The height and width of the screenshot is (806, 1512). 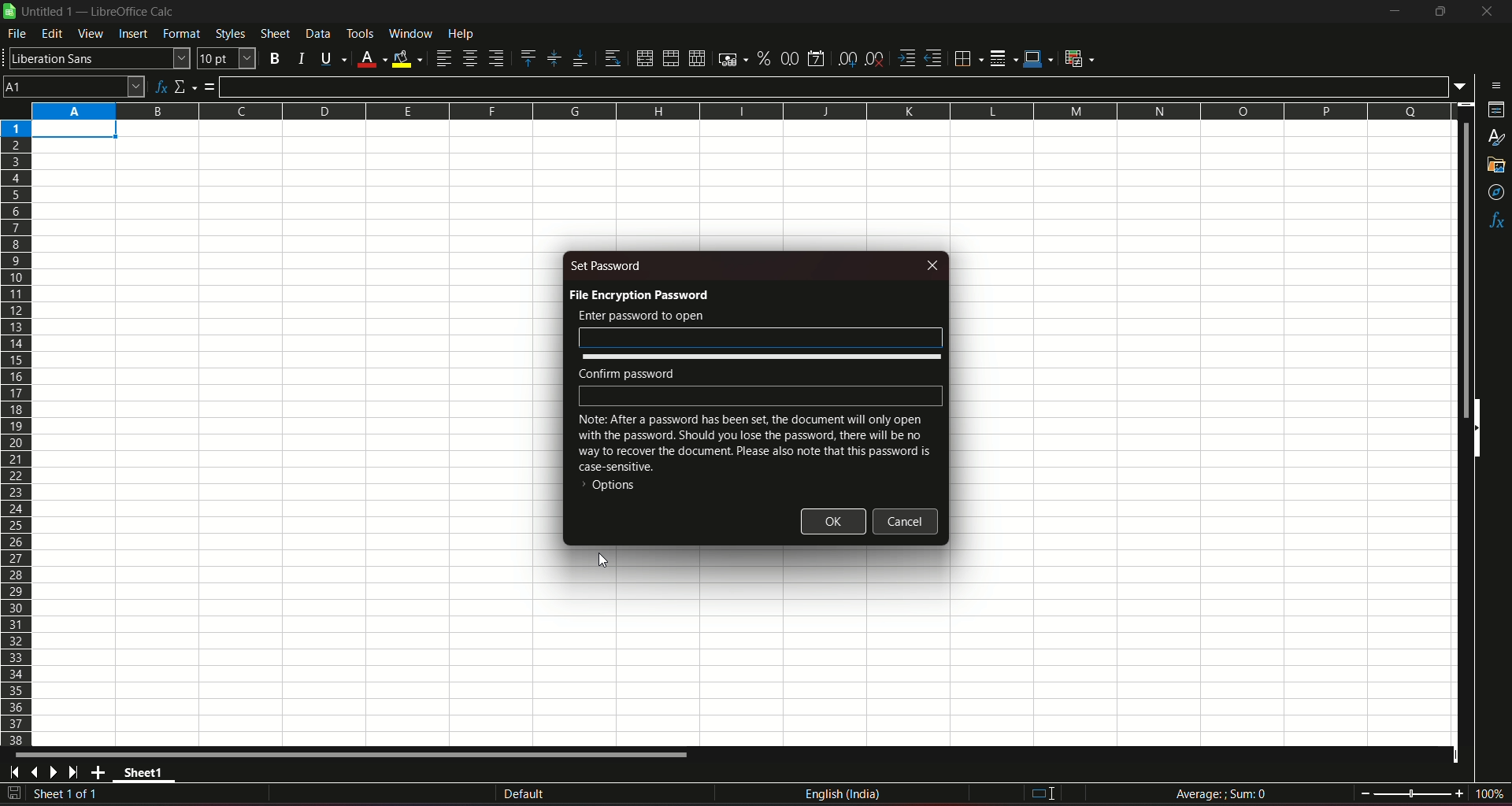 What do you see at coordinates (361, 33) in the screenshot?
I see `tools` at bounding box center [361, 33].